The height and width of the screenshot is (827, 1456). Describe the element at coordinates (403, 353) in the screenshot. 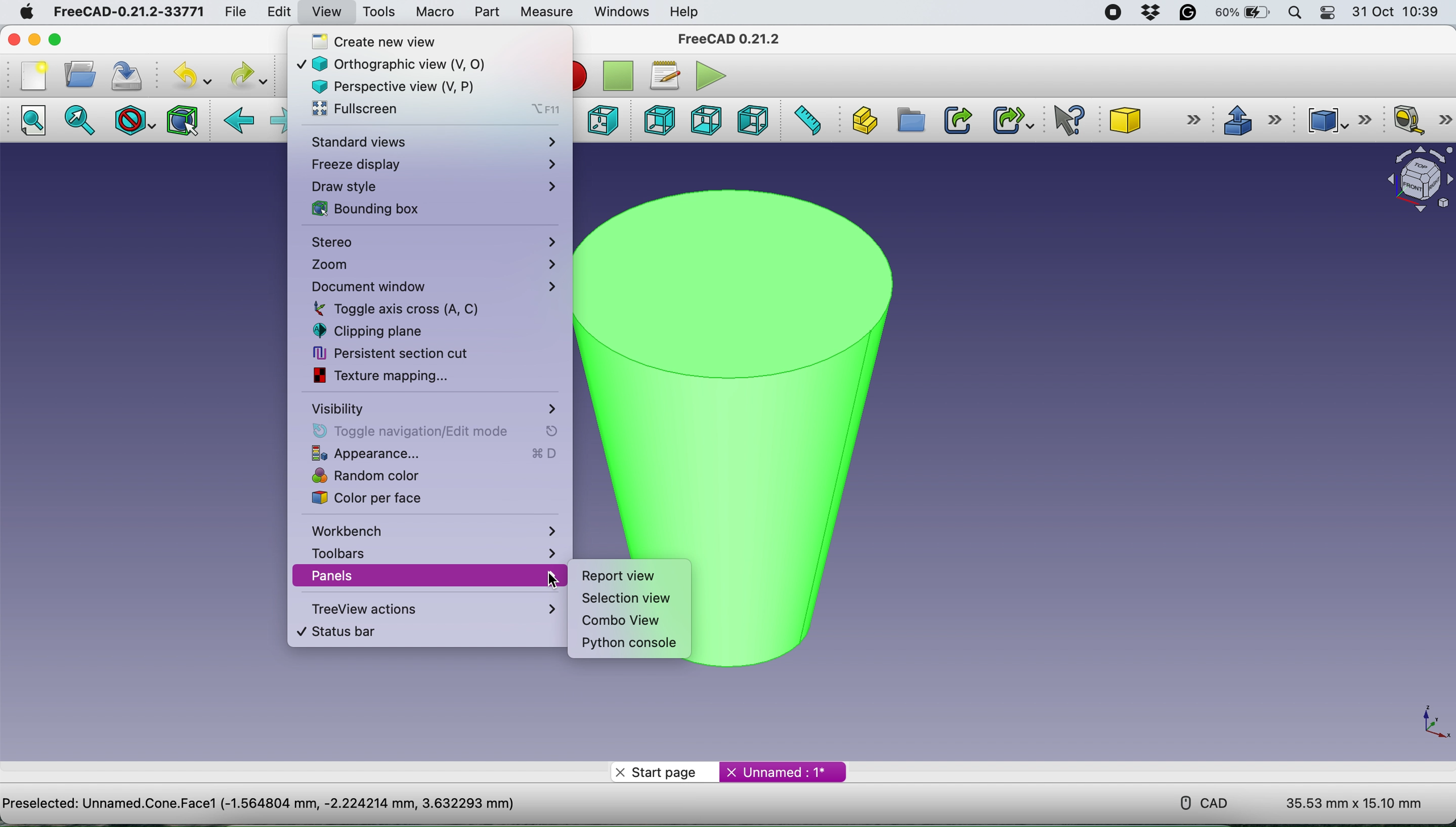

I see `persistent section cut` at that location.